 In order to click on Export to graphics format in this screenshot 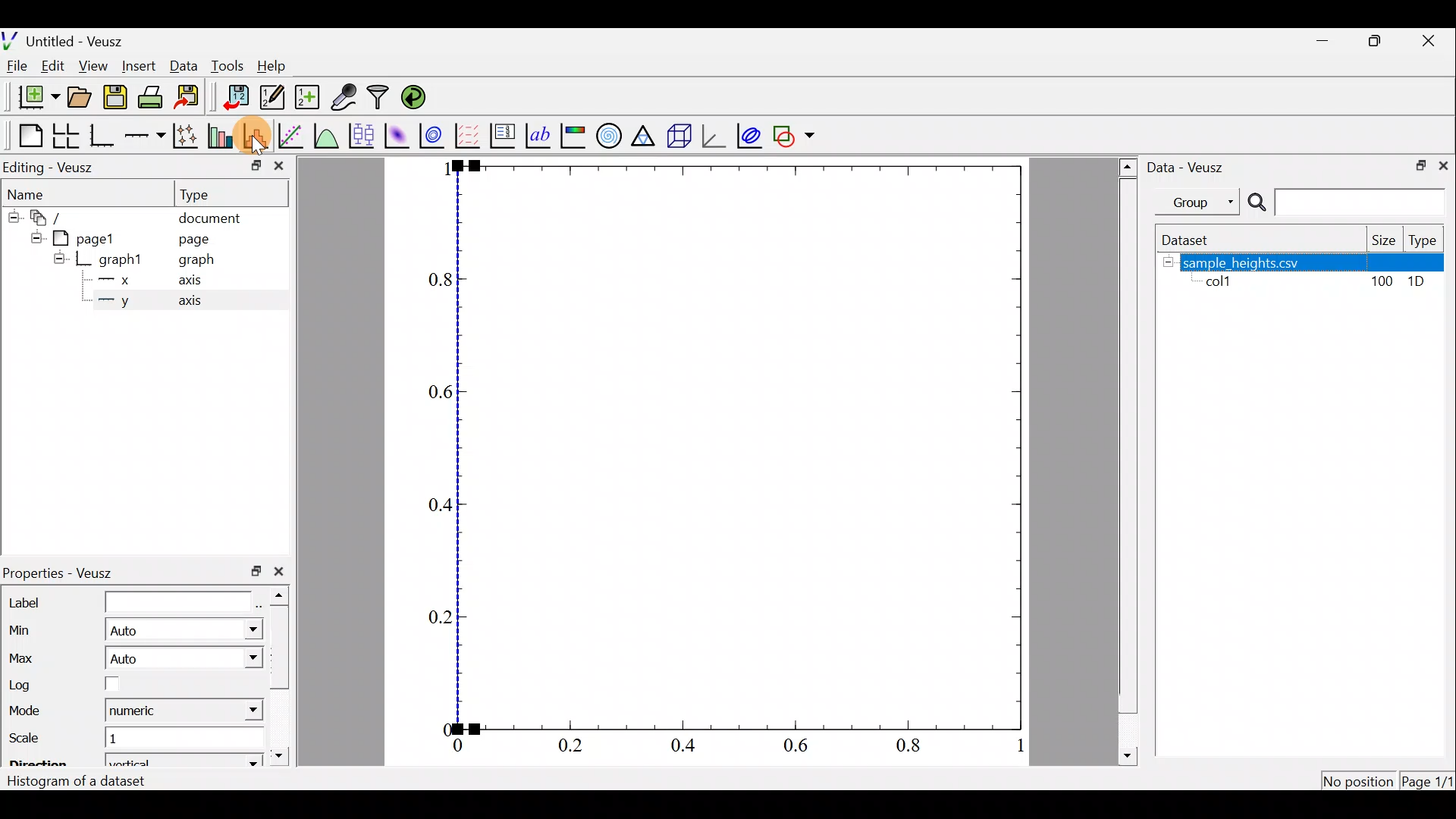, I will do `click(192, 98)`.